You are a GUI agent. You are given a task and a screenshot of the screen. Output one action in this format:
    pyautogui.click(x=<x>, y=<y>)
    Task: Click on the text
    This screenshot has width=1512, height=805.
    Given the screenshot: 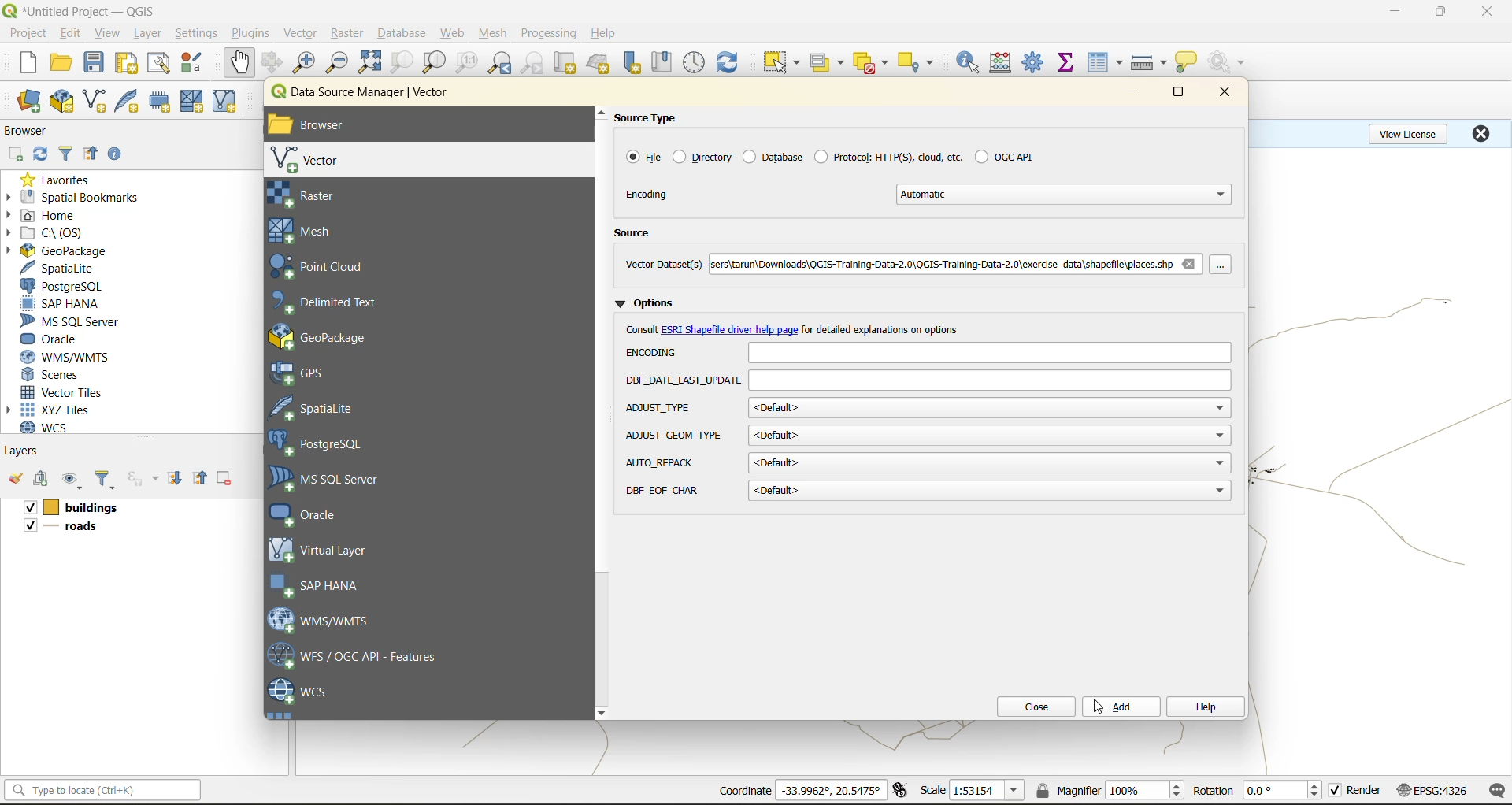 What is the action you would take?
    pyautogui.click(x=643, y=329)
    